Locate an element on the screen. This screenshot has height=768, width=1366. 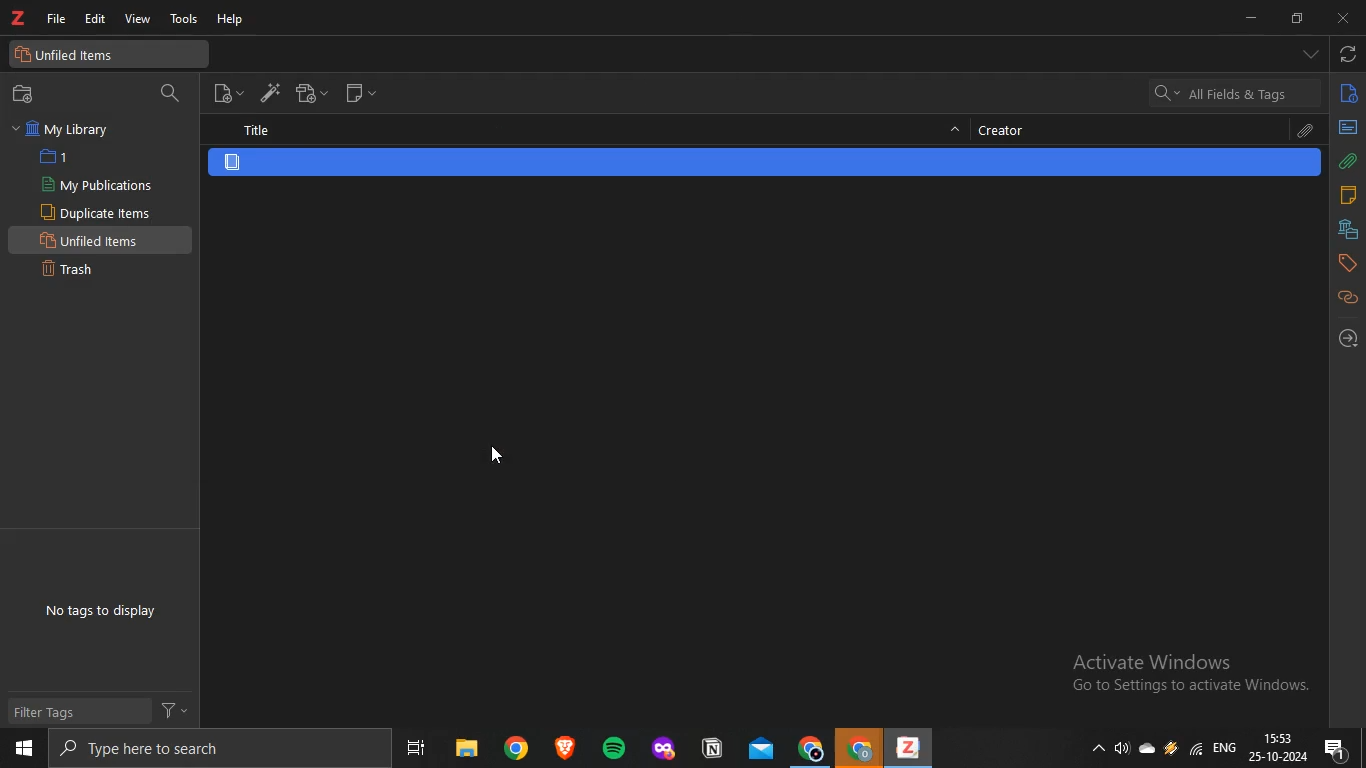
tools is located at coordinates (185, 21).